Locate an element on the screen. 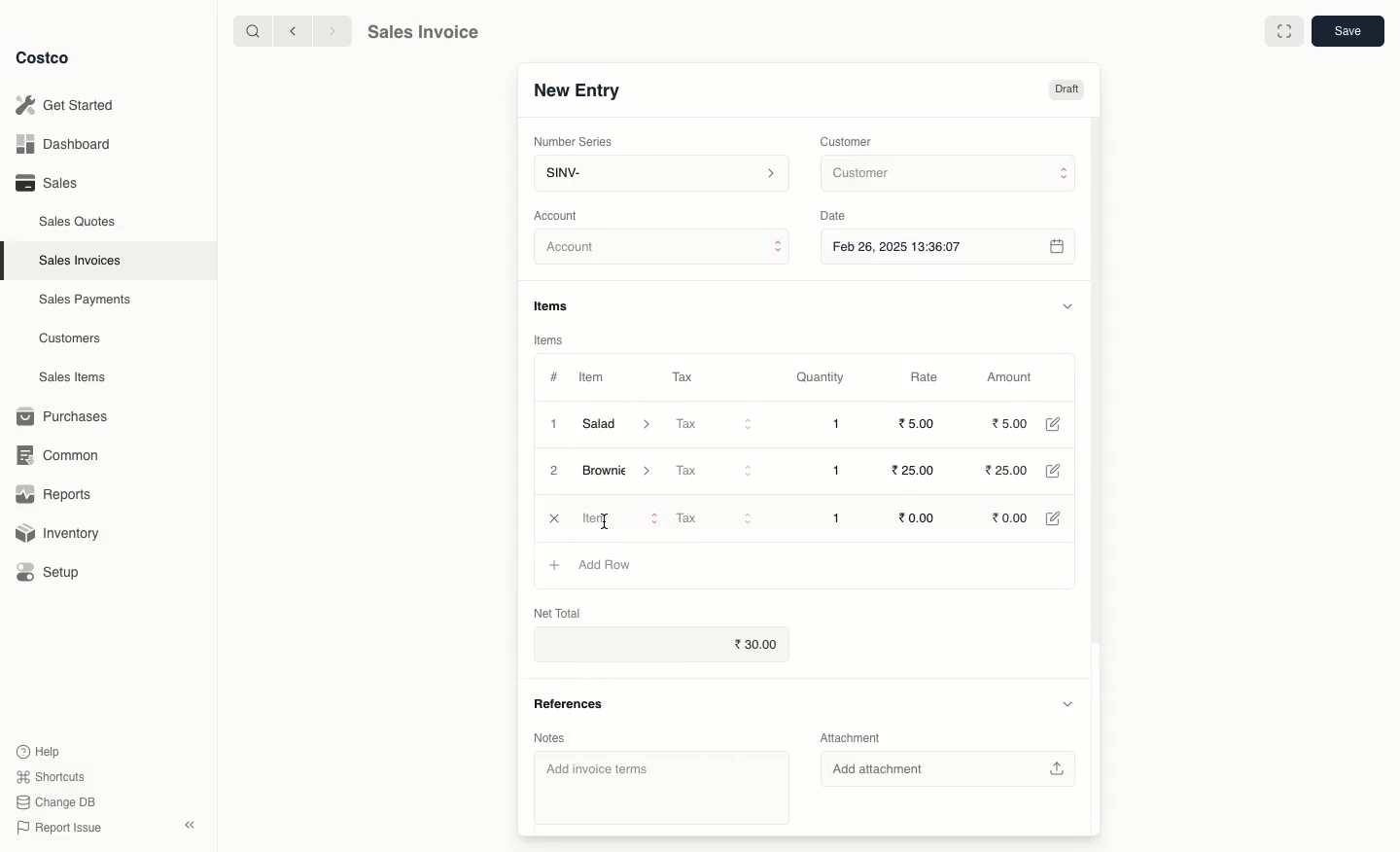 The height and width of the screenshot is (852, 1400). Purchases is located at coordinates (67, 416).